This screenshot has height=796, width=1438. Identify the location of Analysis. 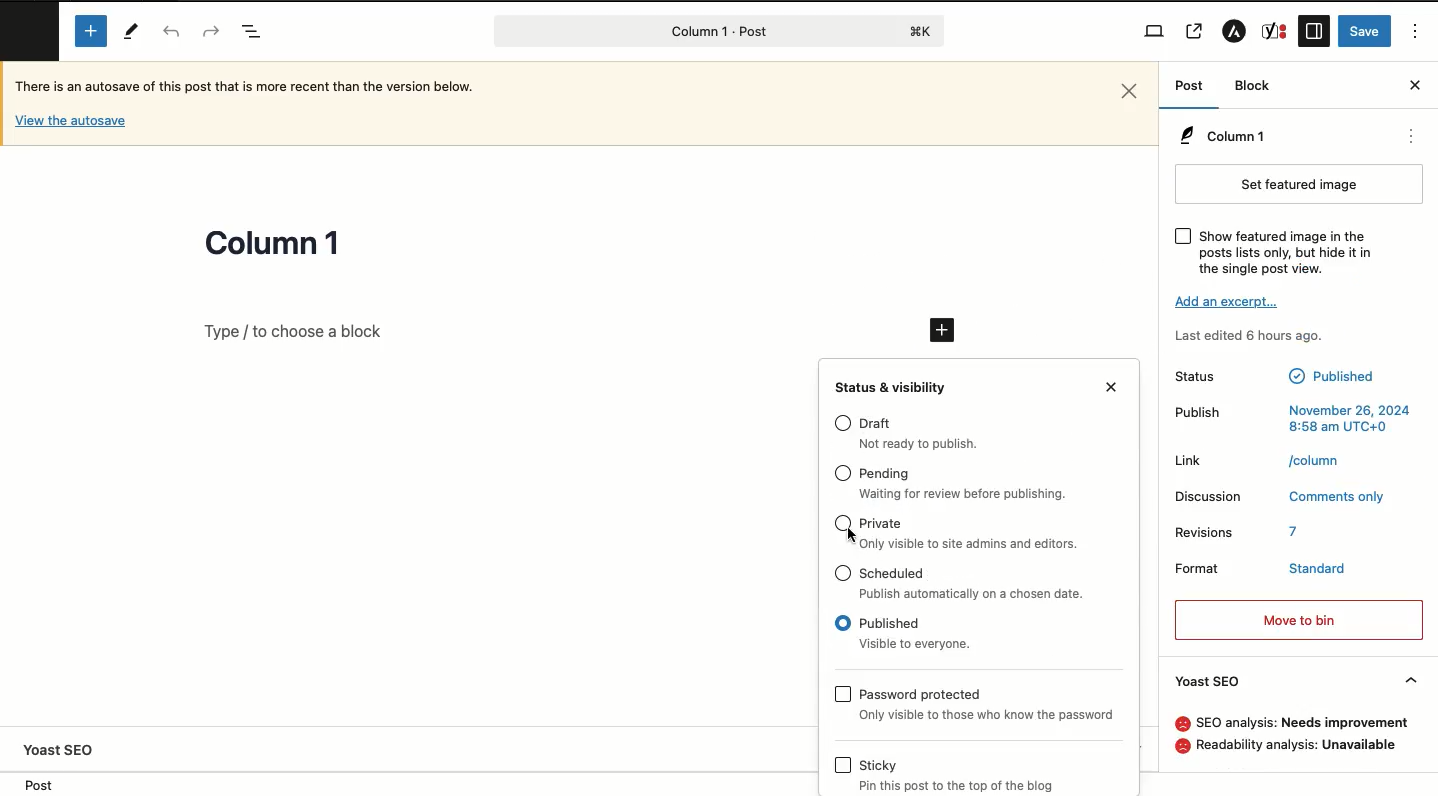
(1299, 745).